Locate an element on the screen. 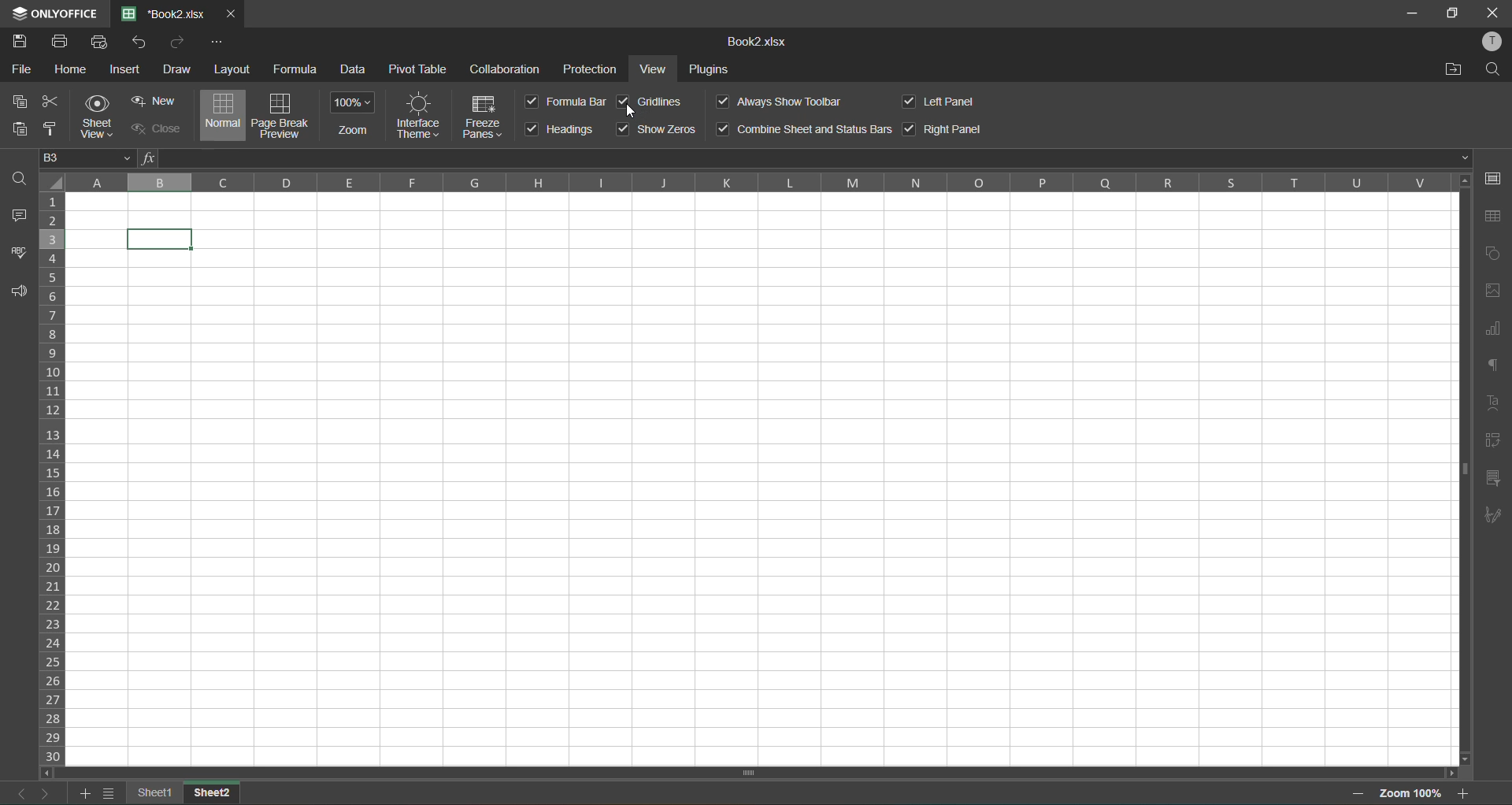 The image size is (1512, 805). show zeros is located at coordinates (657, 128).